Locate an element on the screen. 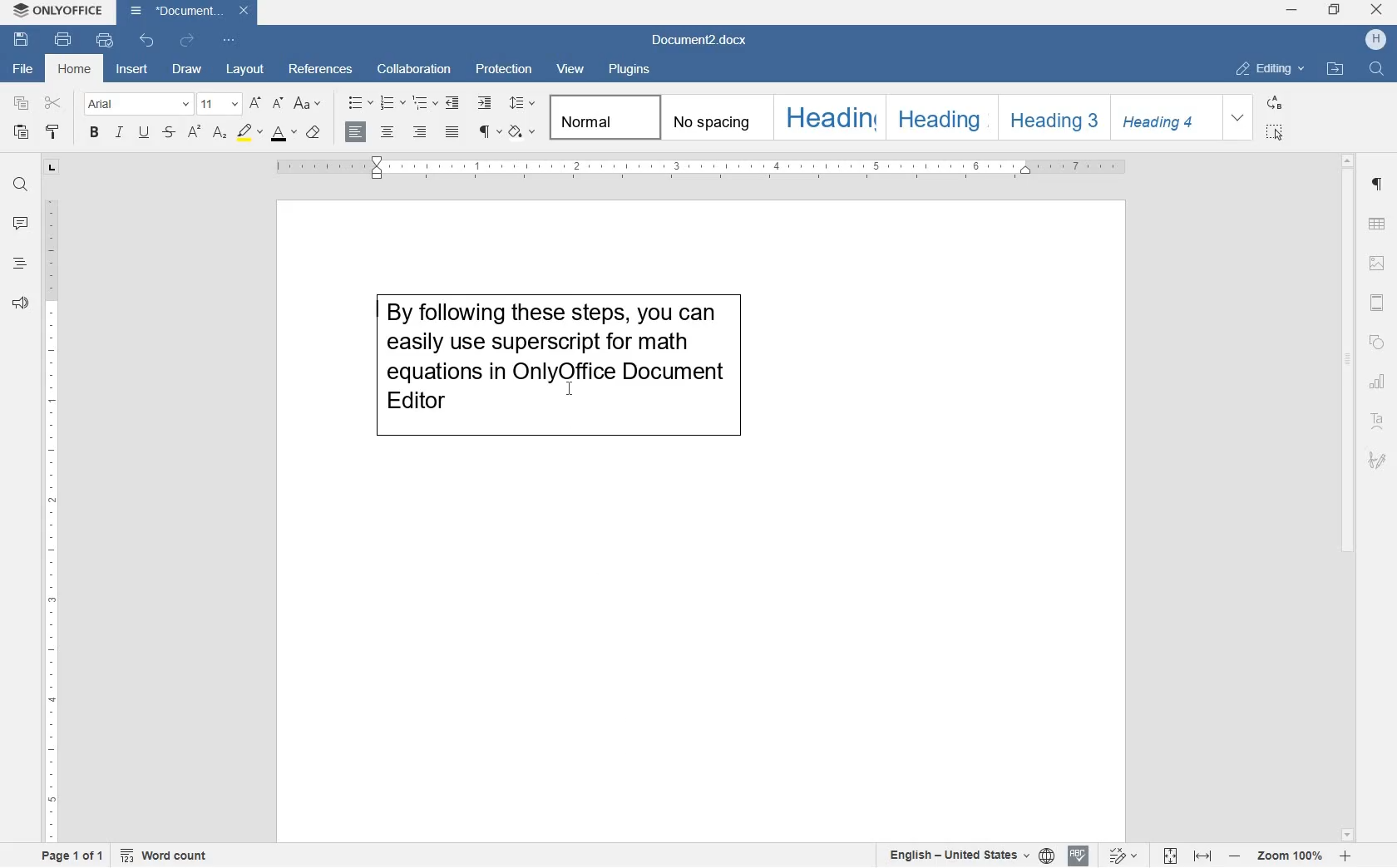 This screenshot has width=1397, height=868. signatur is located at coordinates (1377, 462).